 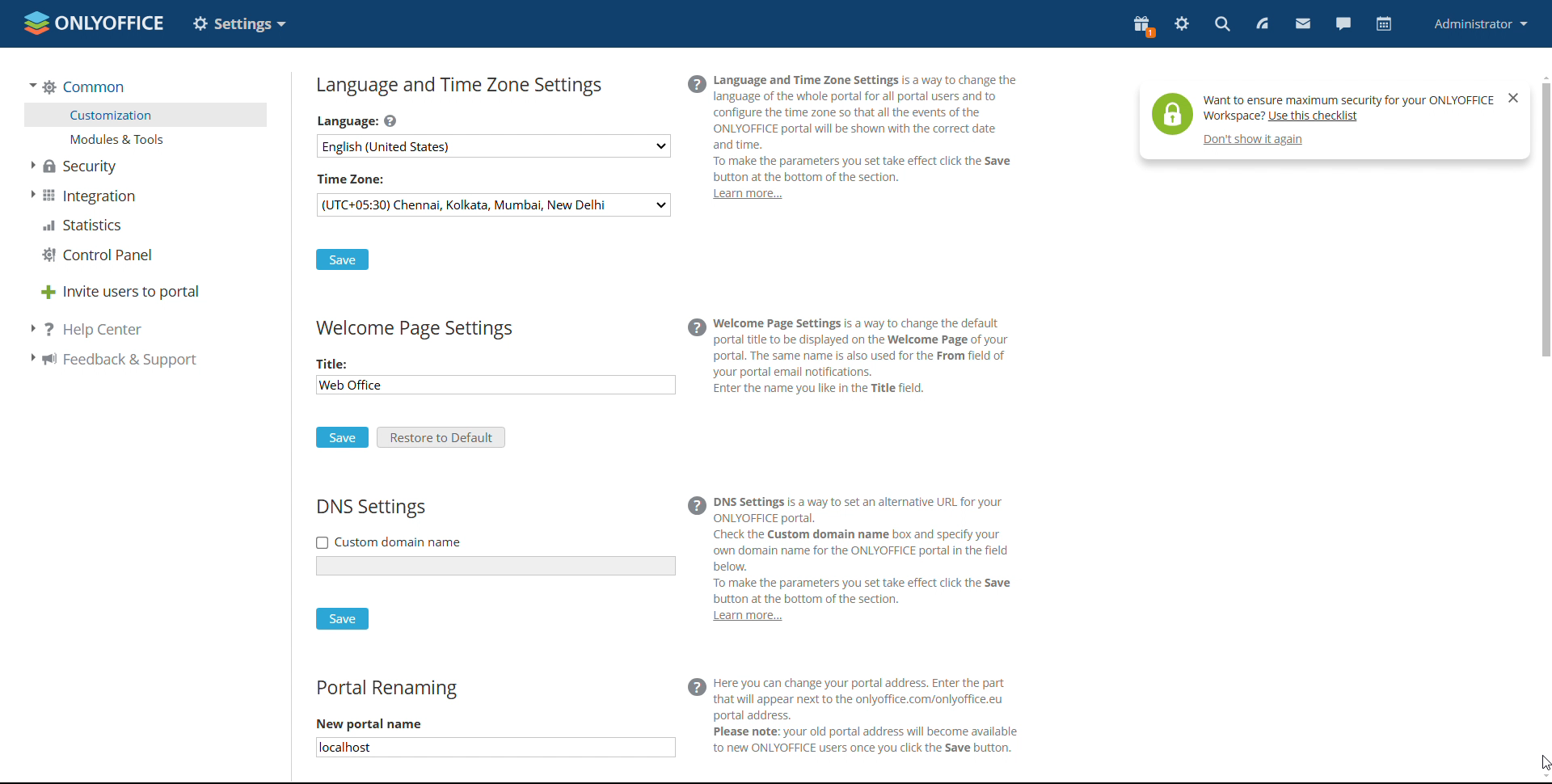 What do you see at coordinates (493, 204) in the screenshot?
I see `select timezone` at bounding box center [493, 204].